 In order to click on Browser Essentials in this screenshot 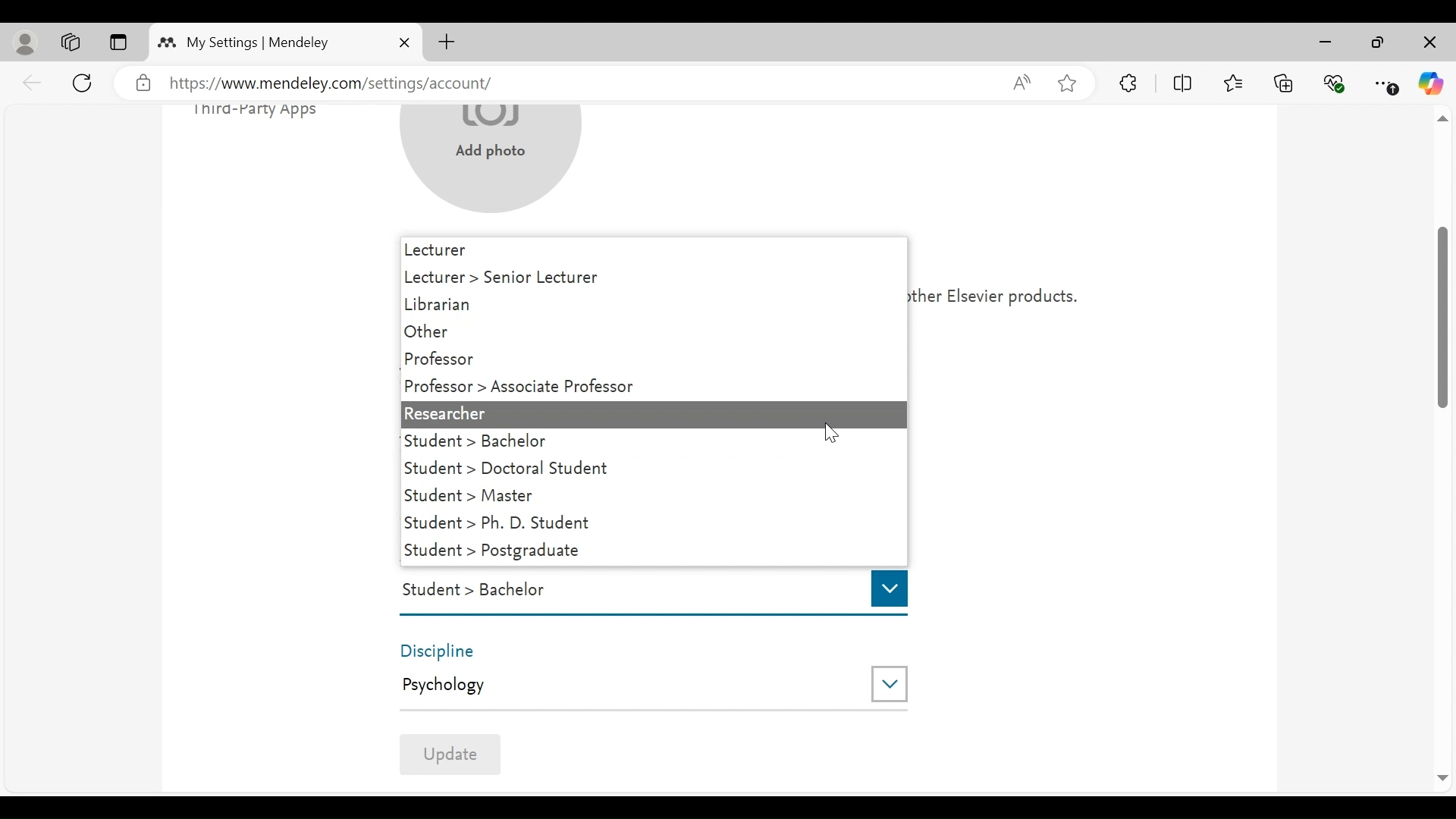, I will do `click(1335, 82)`.